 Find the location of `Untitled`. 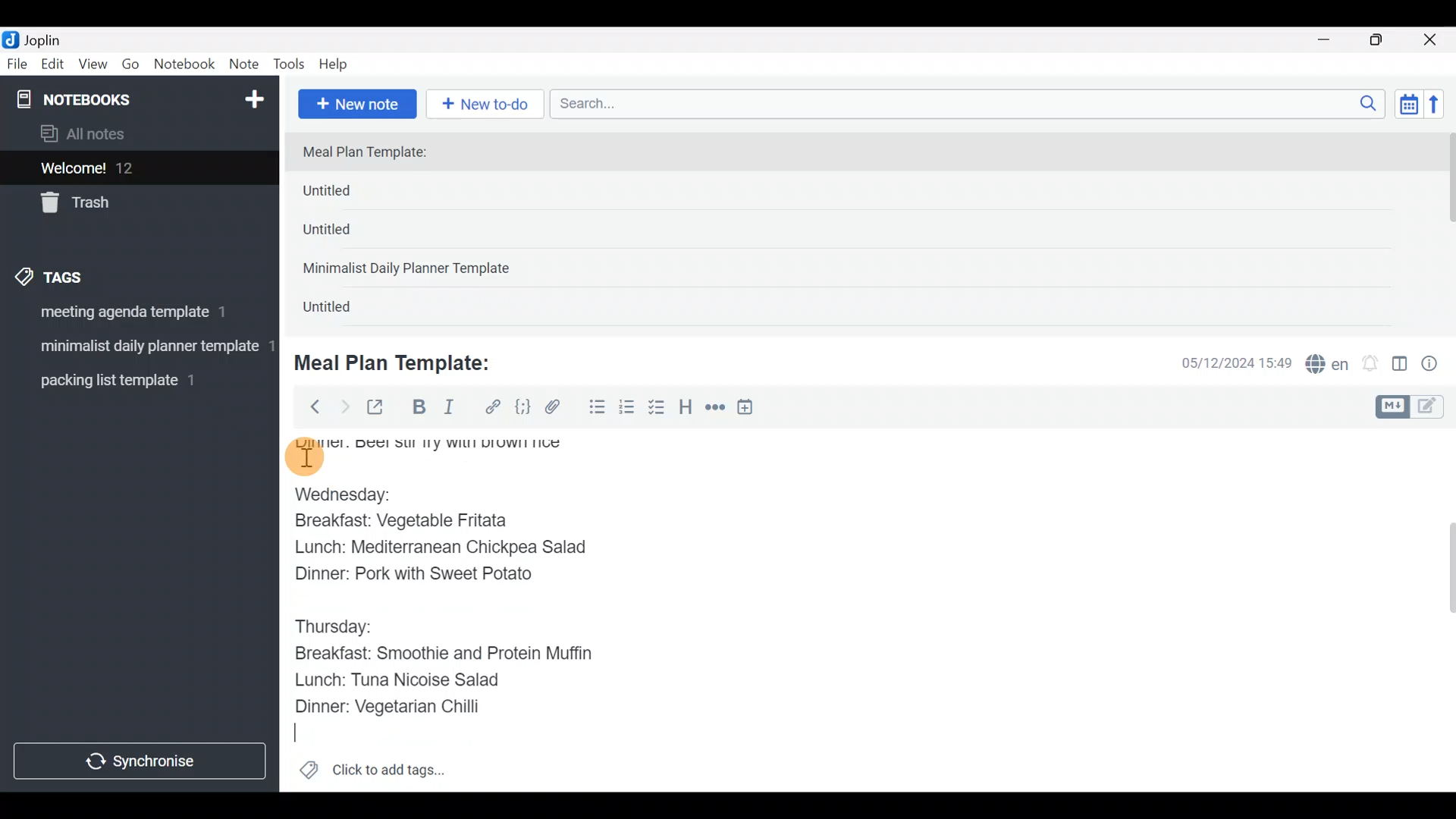

Untitled is located at coordinates (344, 310).